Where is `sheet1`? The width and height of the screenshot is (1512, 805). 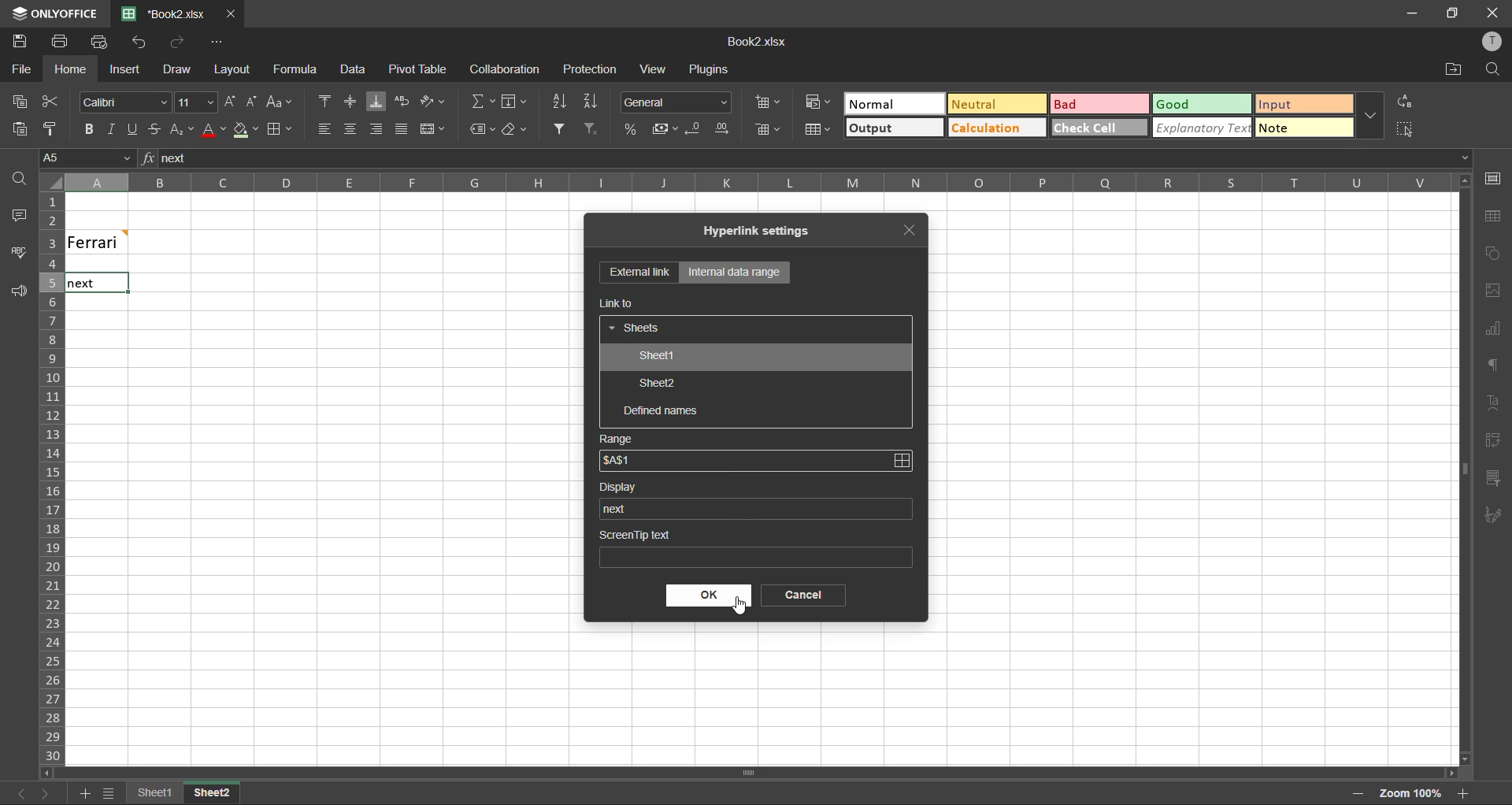 sheet1 is located at coordinates (655, 358).